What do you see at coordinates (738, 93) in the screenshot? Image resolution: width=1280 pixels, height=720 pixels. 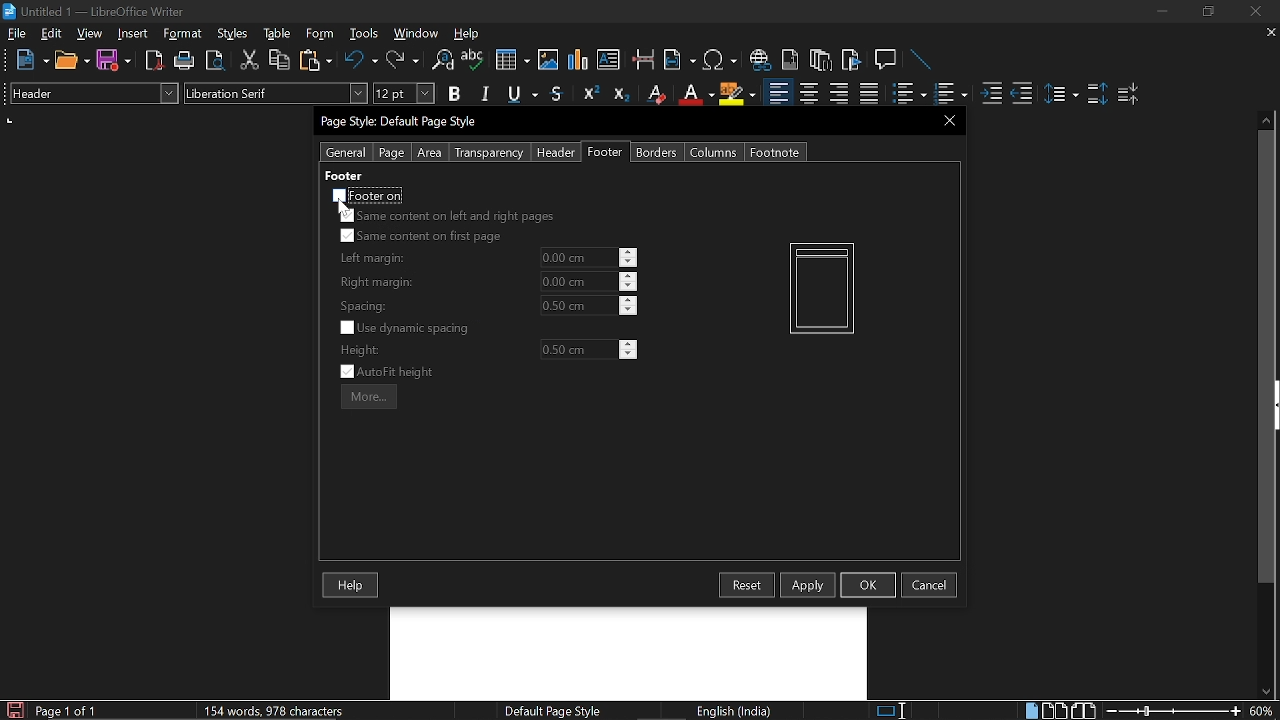 I see `Highlight` at bounding box center [738, 93].